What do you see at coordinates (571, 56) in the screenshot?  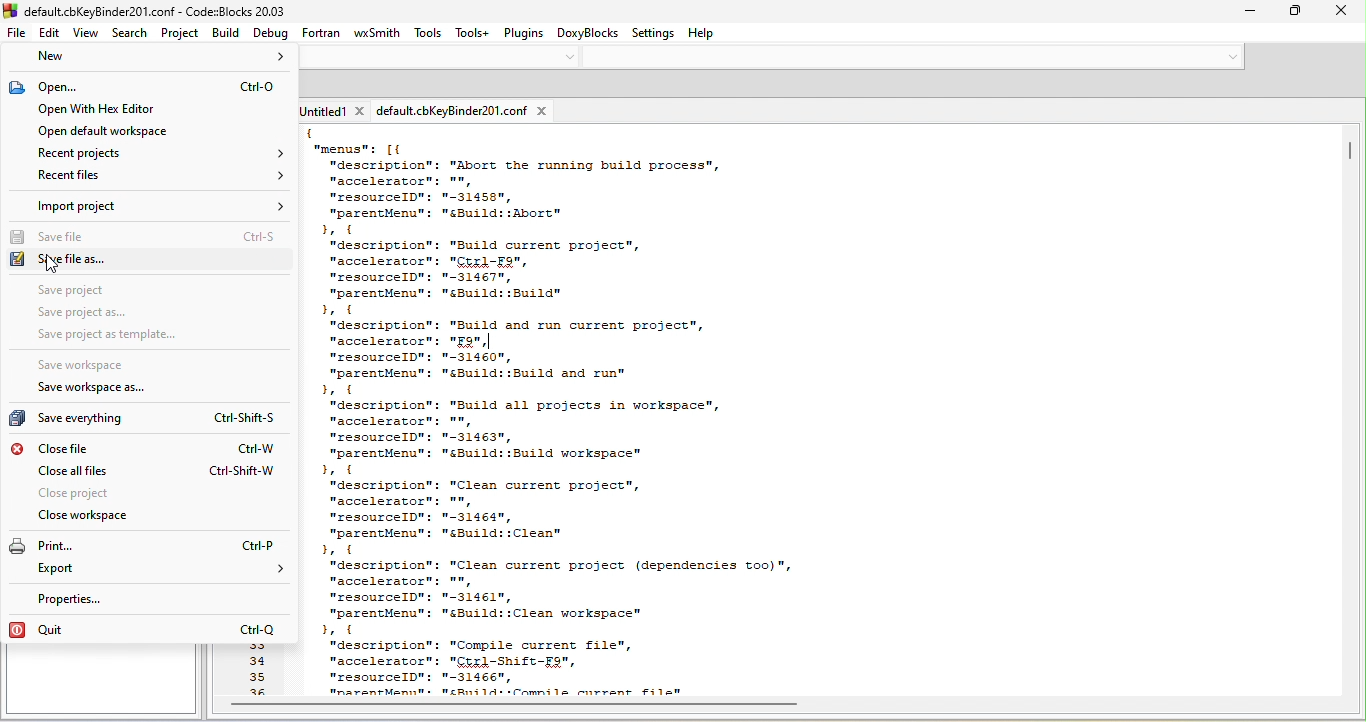 I see `down` at bounding box center [571, 56].